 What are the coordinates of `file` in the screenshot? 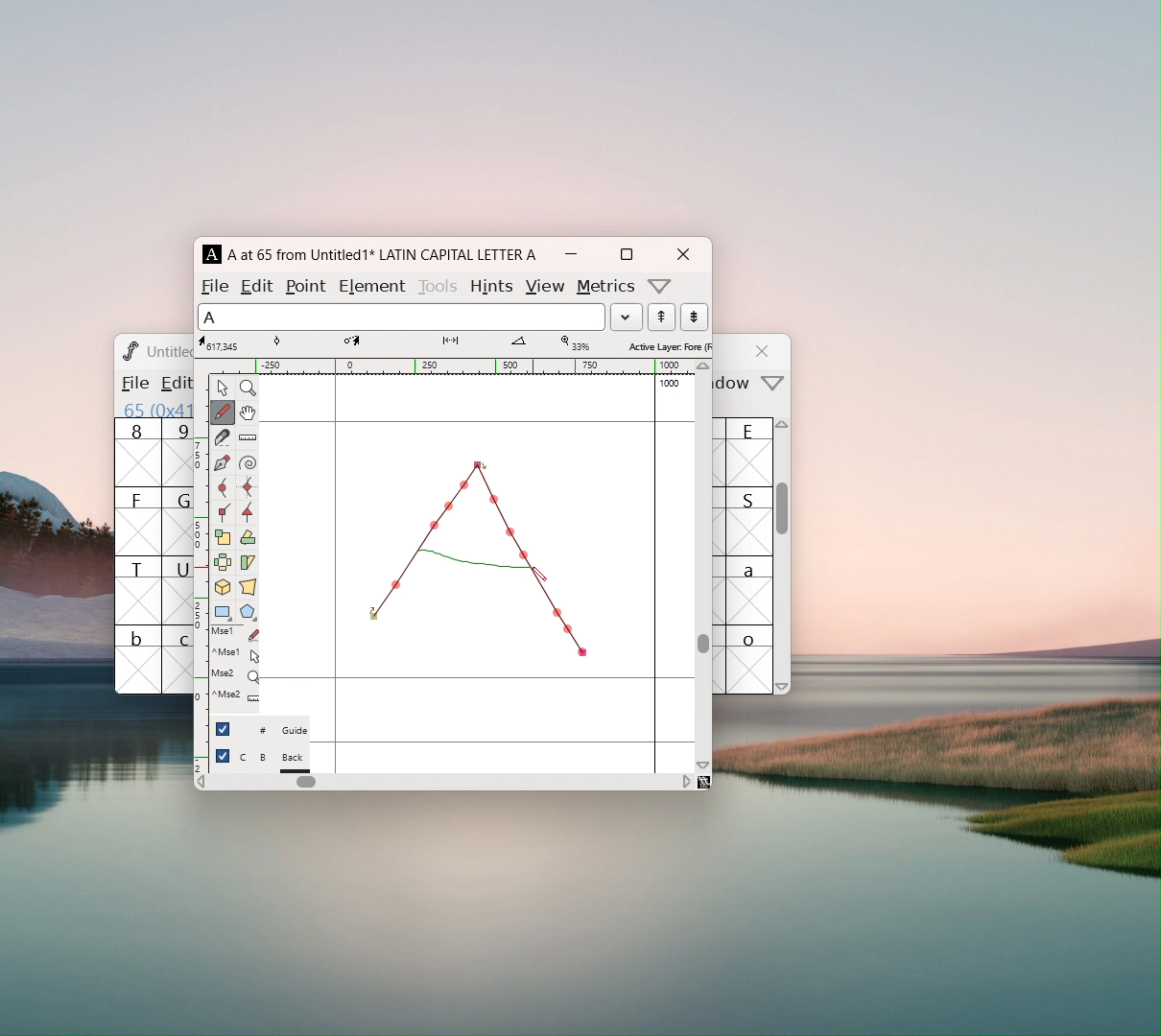 It's located at (133, 383).